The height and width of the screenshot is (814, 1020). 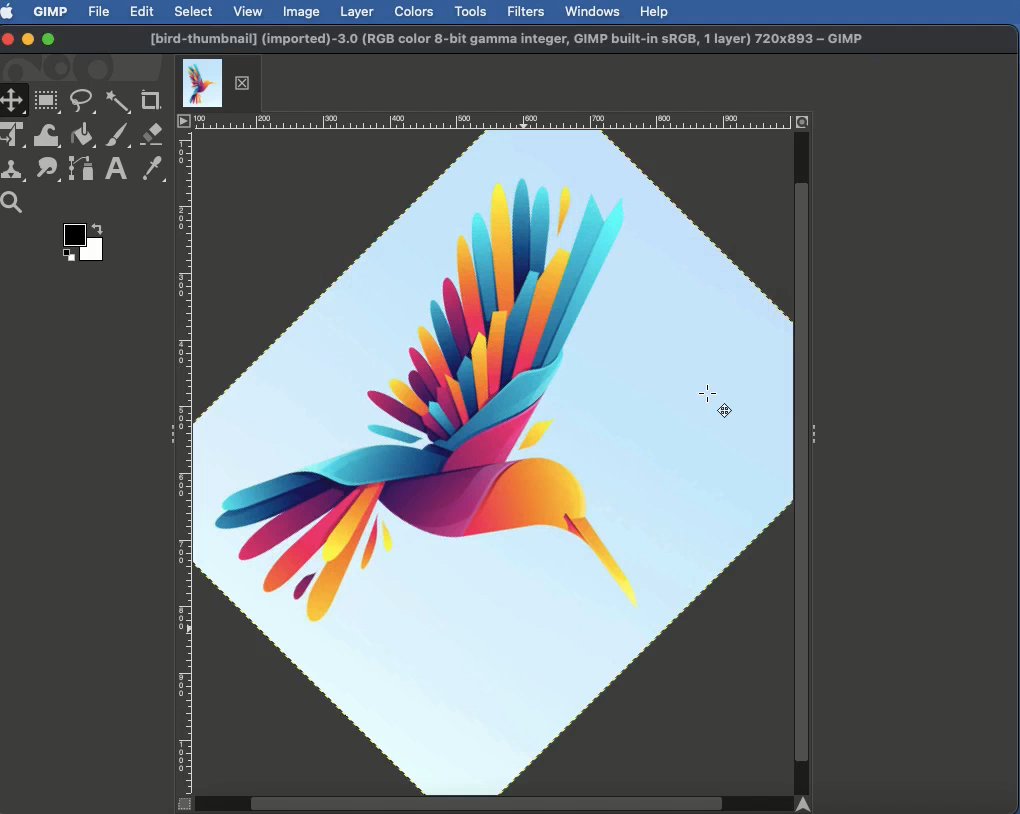 I want to click on Tools, so click(x=470, y=12).